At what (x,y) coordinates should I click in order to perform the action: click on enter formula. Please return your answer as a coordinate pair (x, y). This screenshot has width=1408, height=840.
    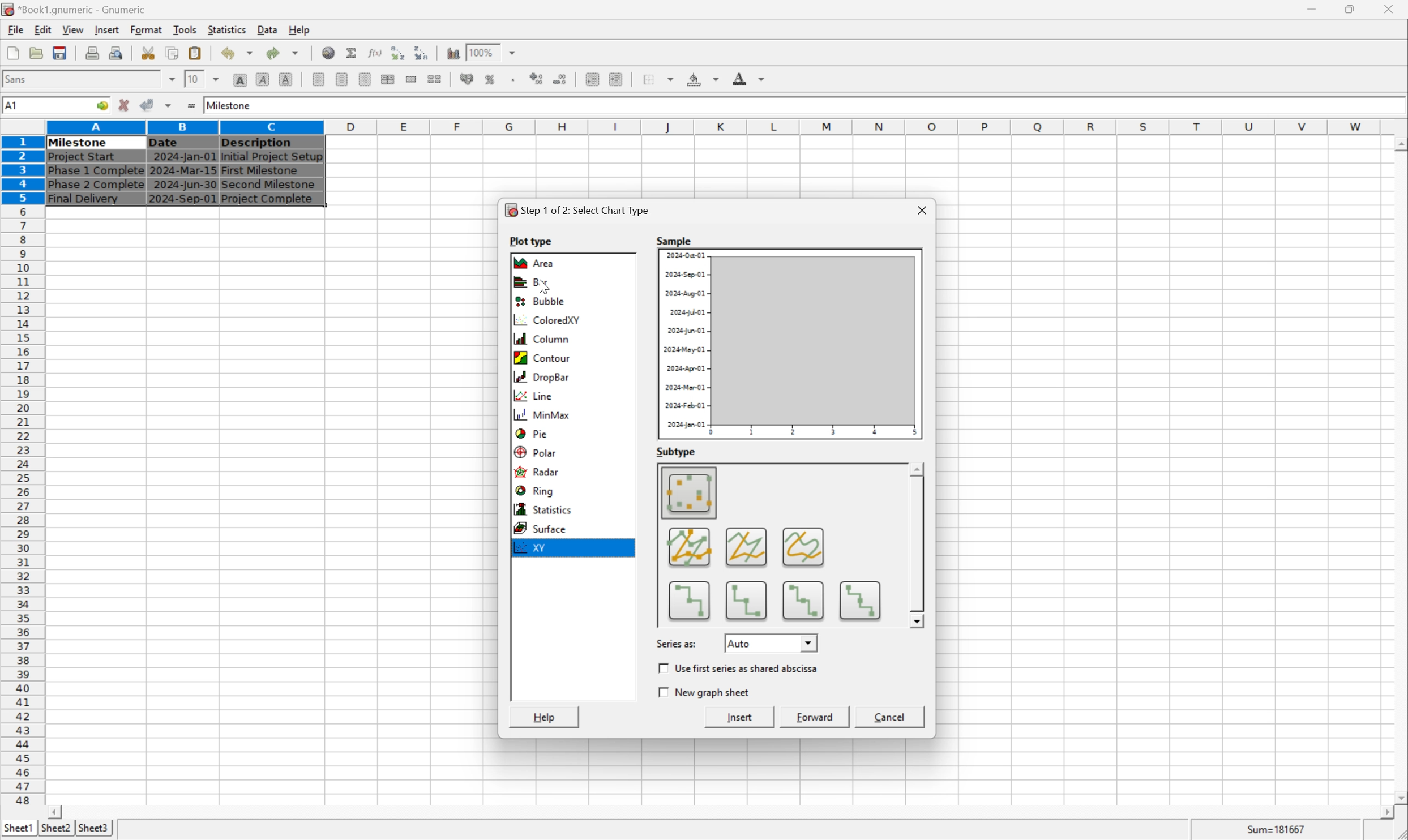
    Looking at the image, I should click on (190, 106).